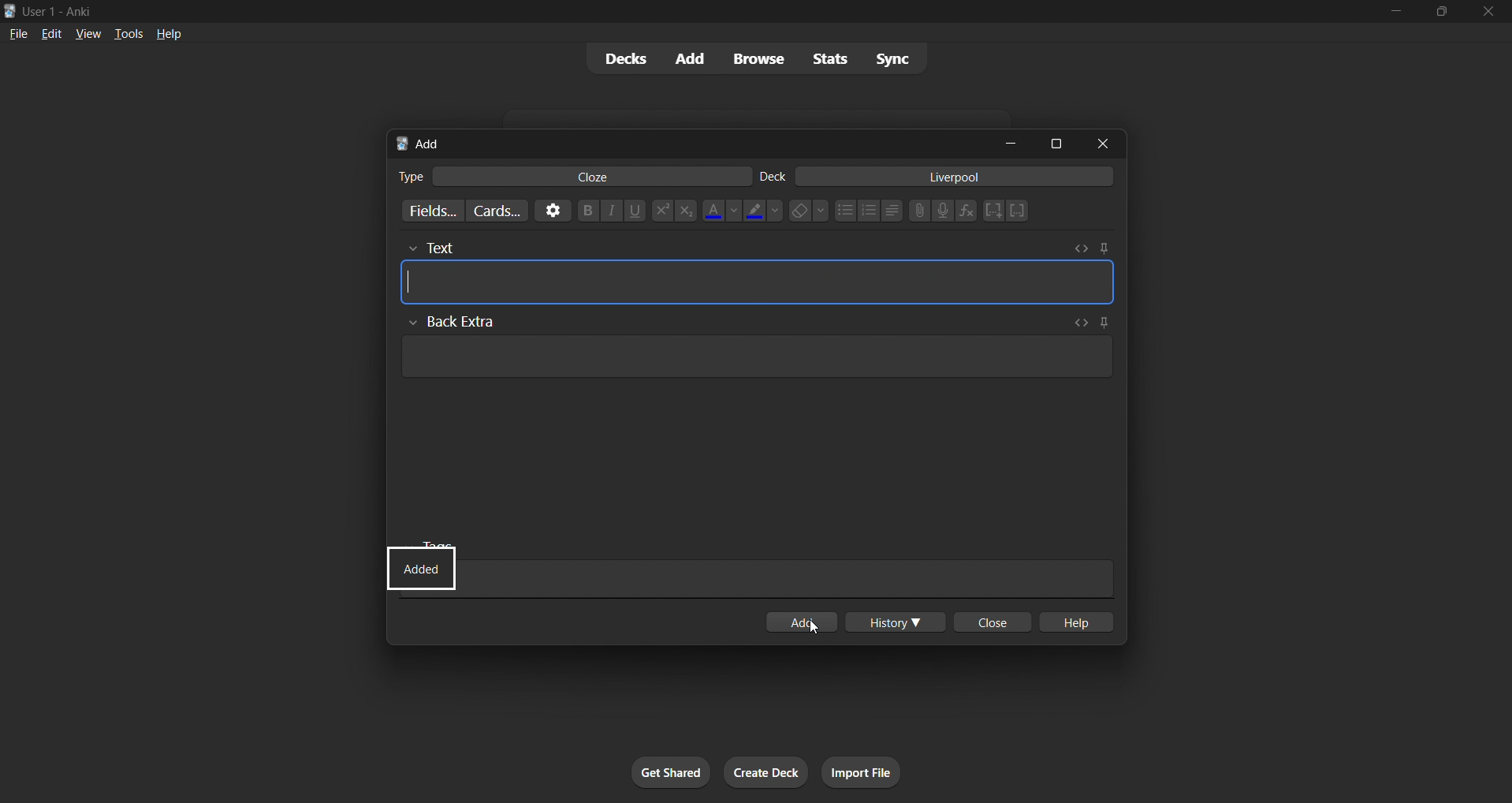 The image size is (1512, 803). I want to click on add, so click(695, 59).